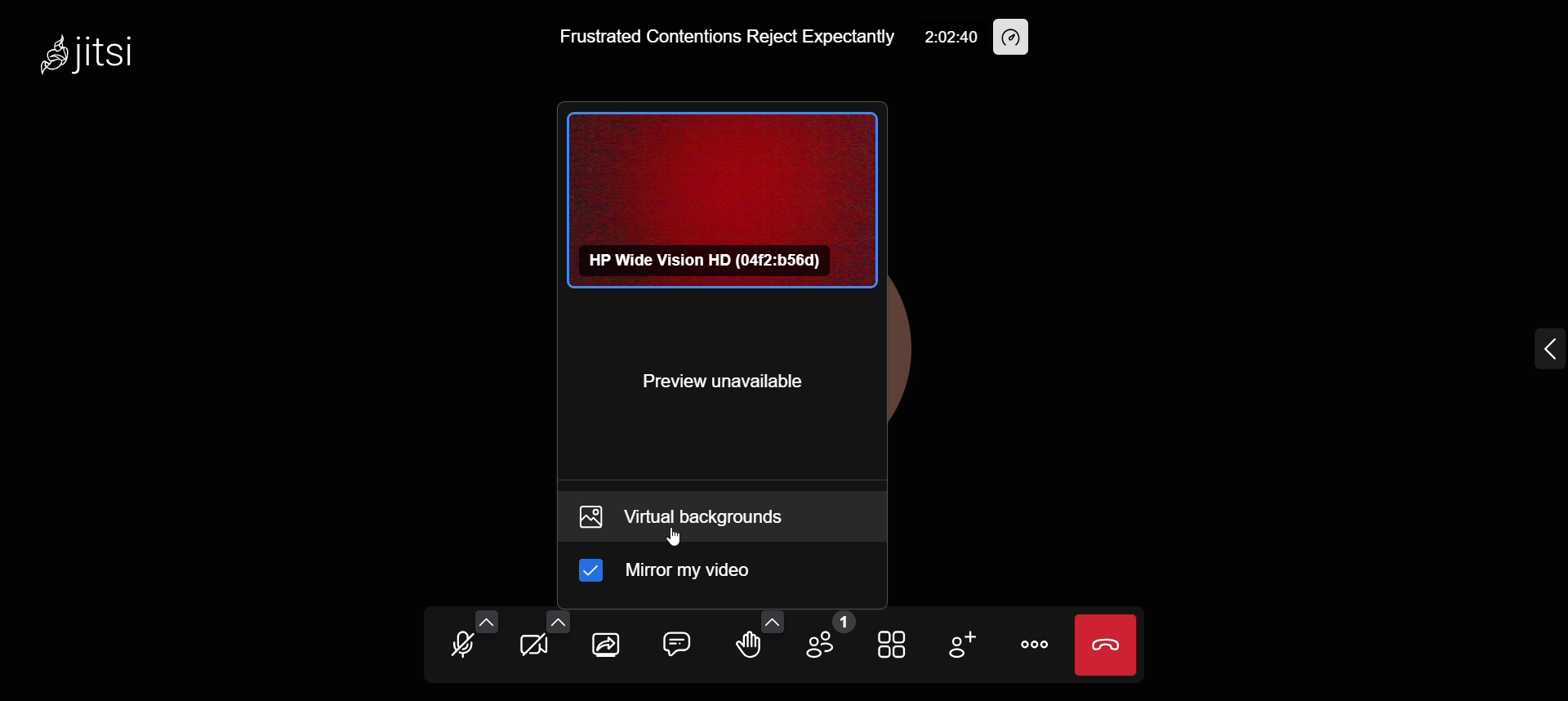 The image size is (1568, 701). I want to click on 2:02:40, so click(951, 37).